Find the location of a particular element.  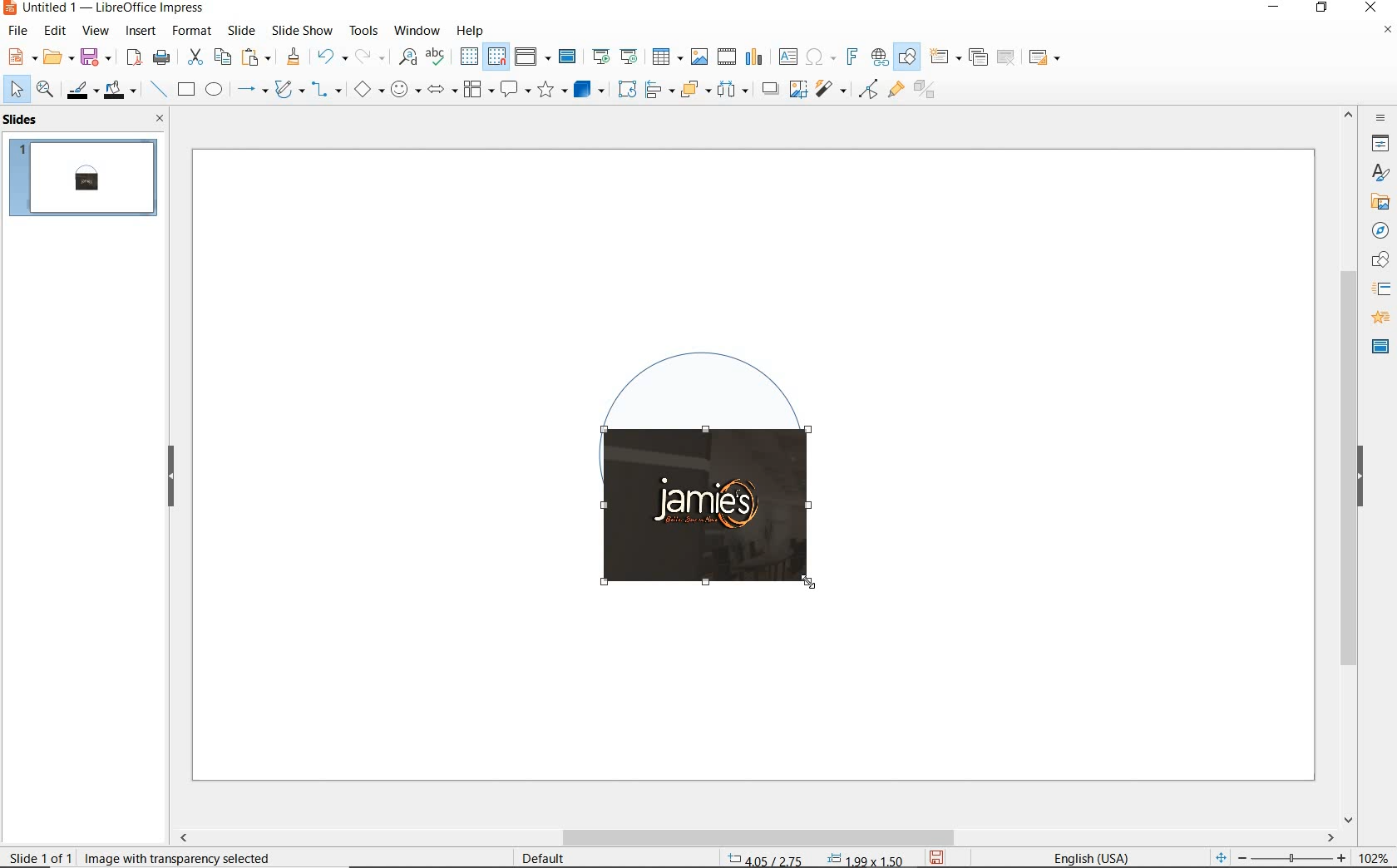

block arrows is located at coordinates (439, 91).